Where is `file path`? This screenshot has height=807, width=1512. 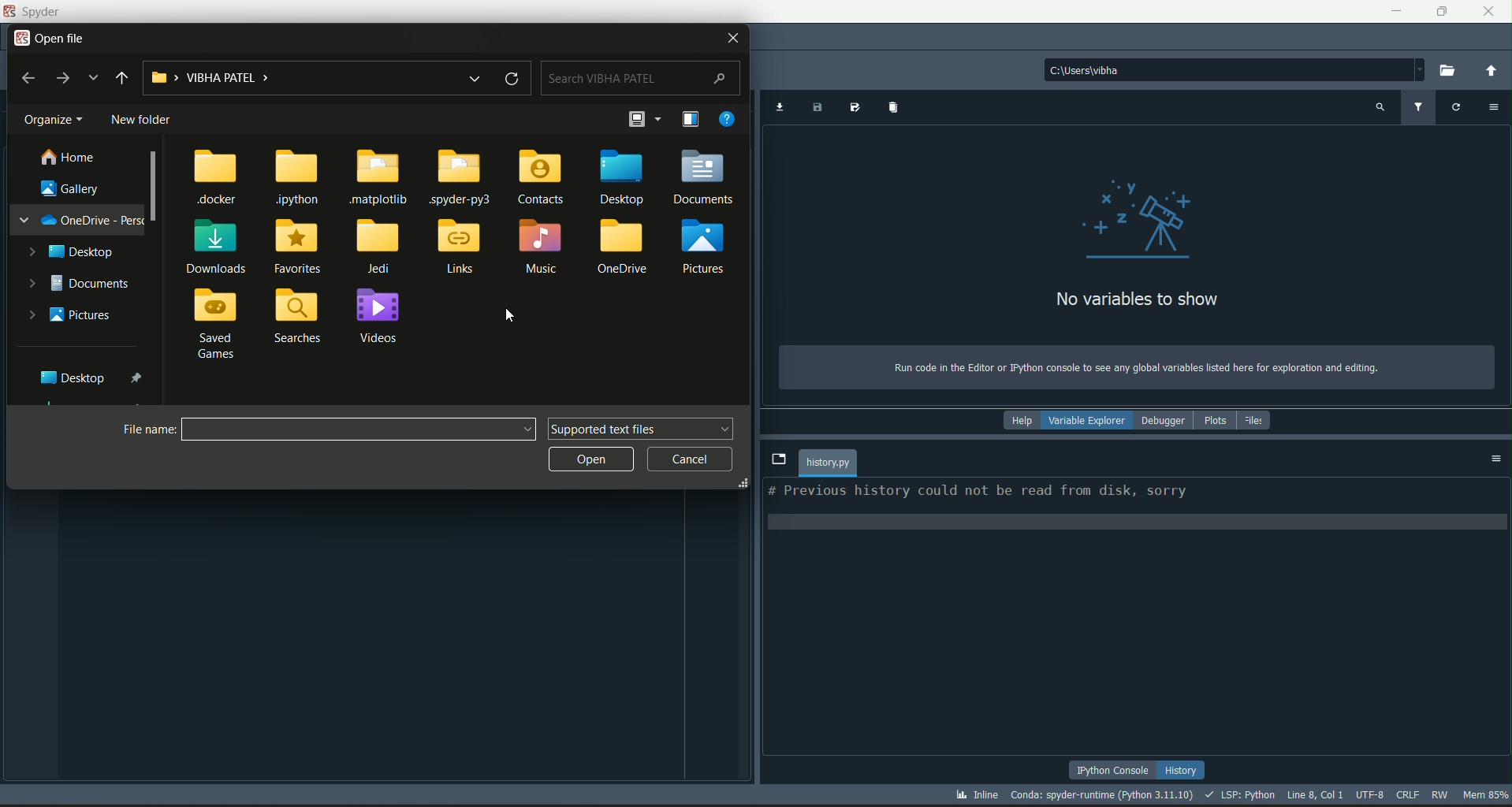
file path is located at coordinates (1235, 69).